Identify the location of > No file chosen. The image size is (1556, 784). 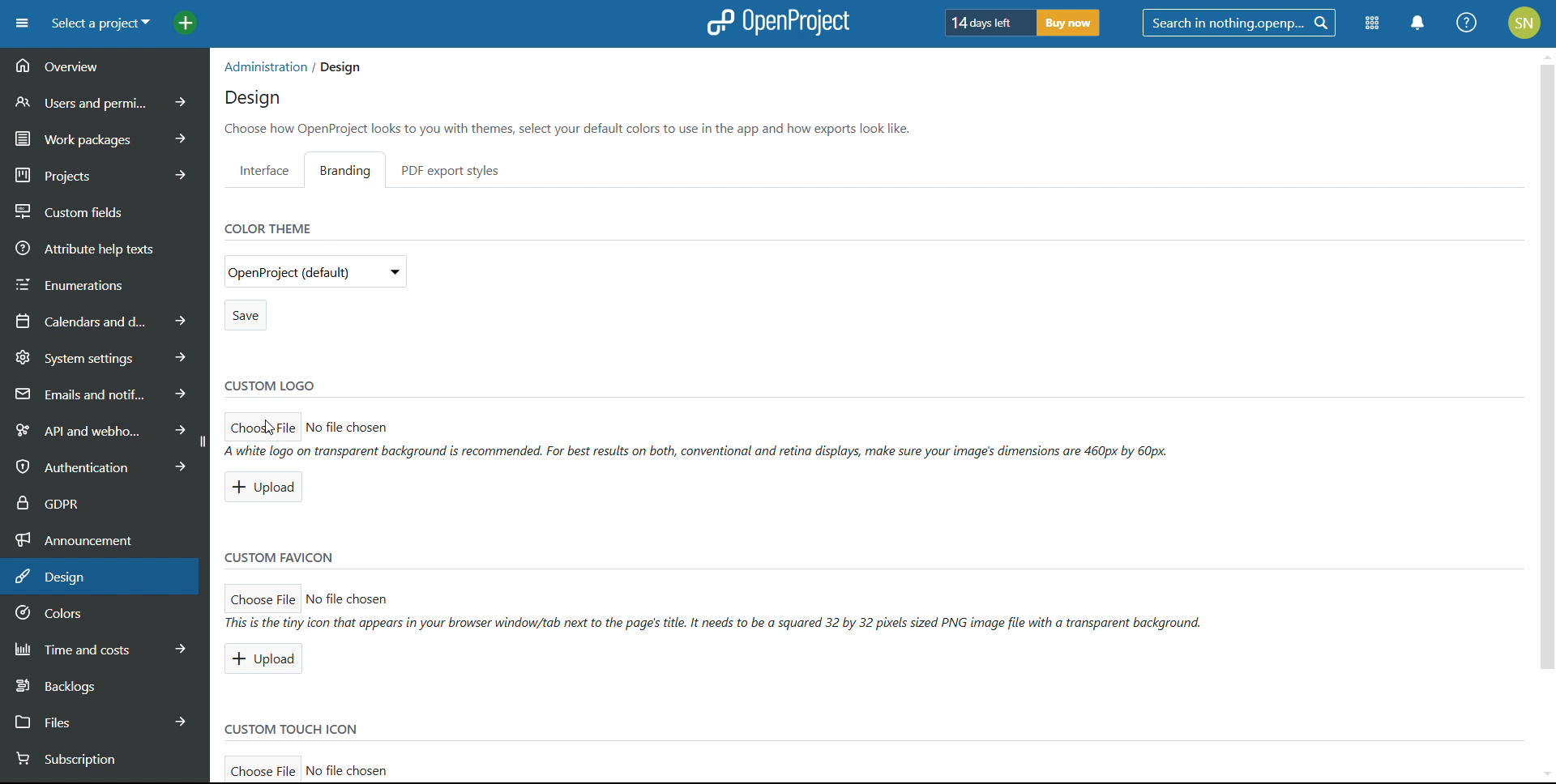
(365, 595).